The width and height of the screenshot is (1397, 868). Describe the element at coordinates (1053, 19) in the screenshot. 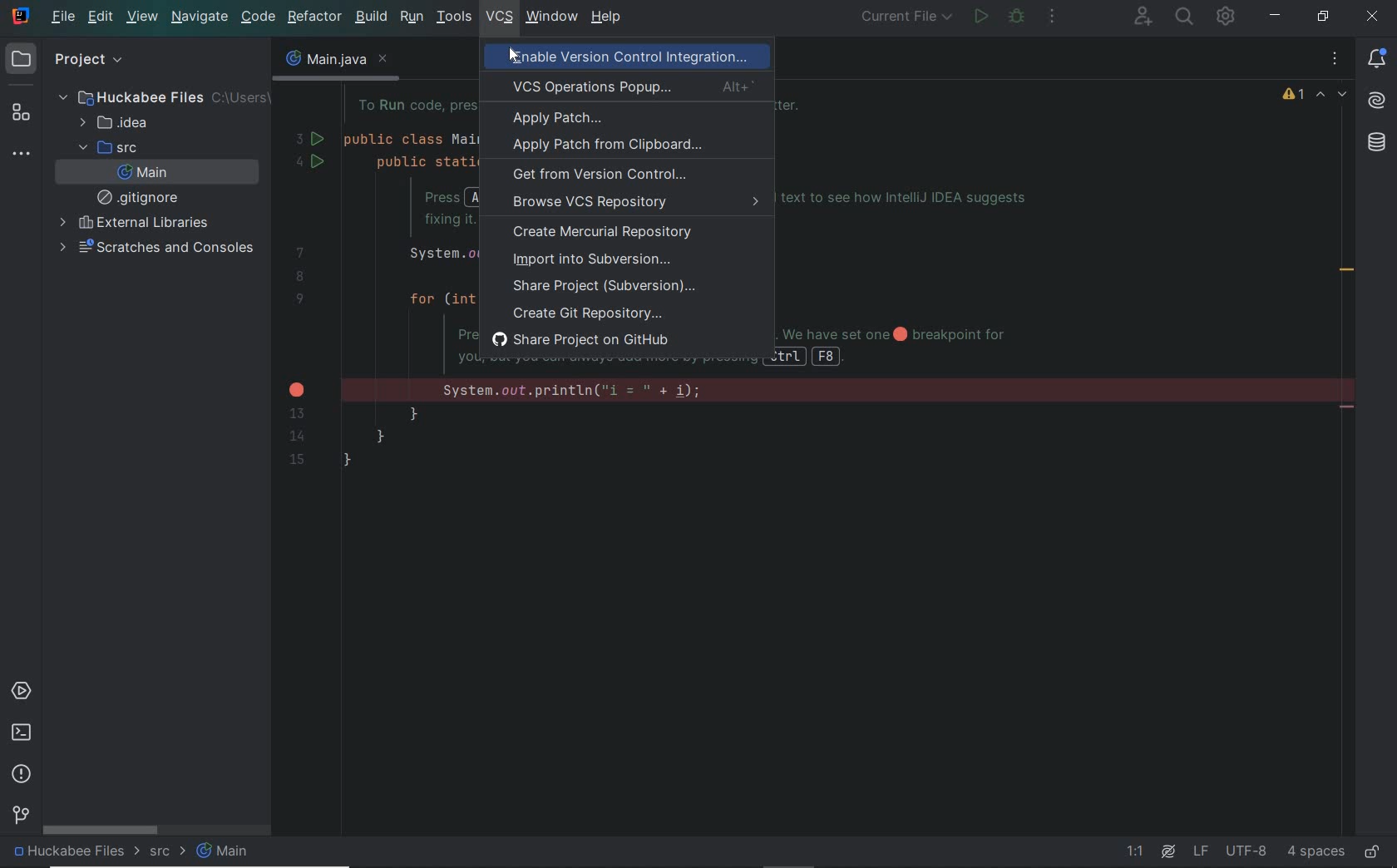

I see `More actions` at that location.